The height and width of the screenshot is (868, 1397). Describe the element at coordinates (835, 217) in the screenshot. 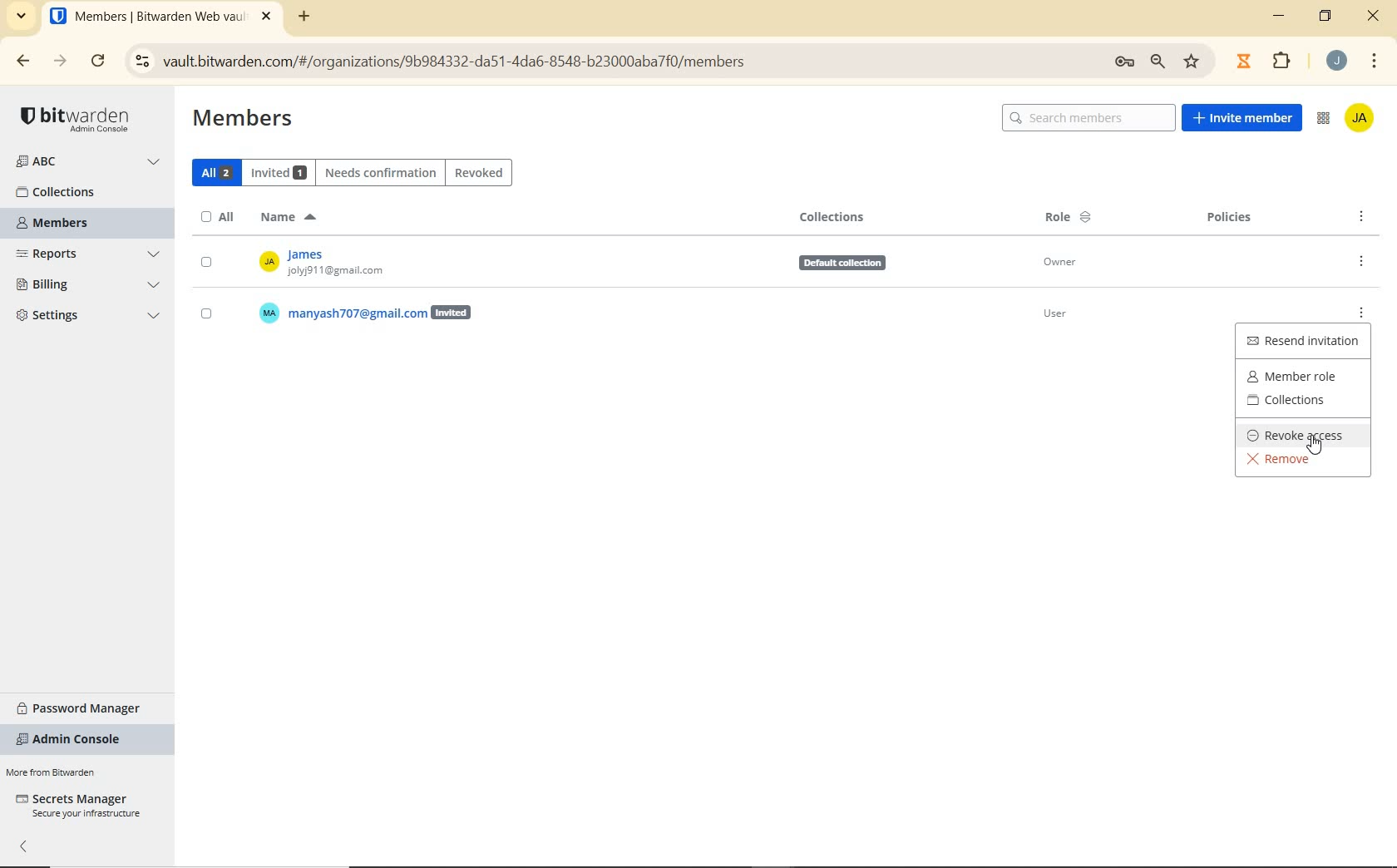

I see `COLLECTIONS` at that location.